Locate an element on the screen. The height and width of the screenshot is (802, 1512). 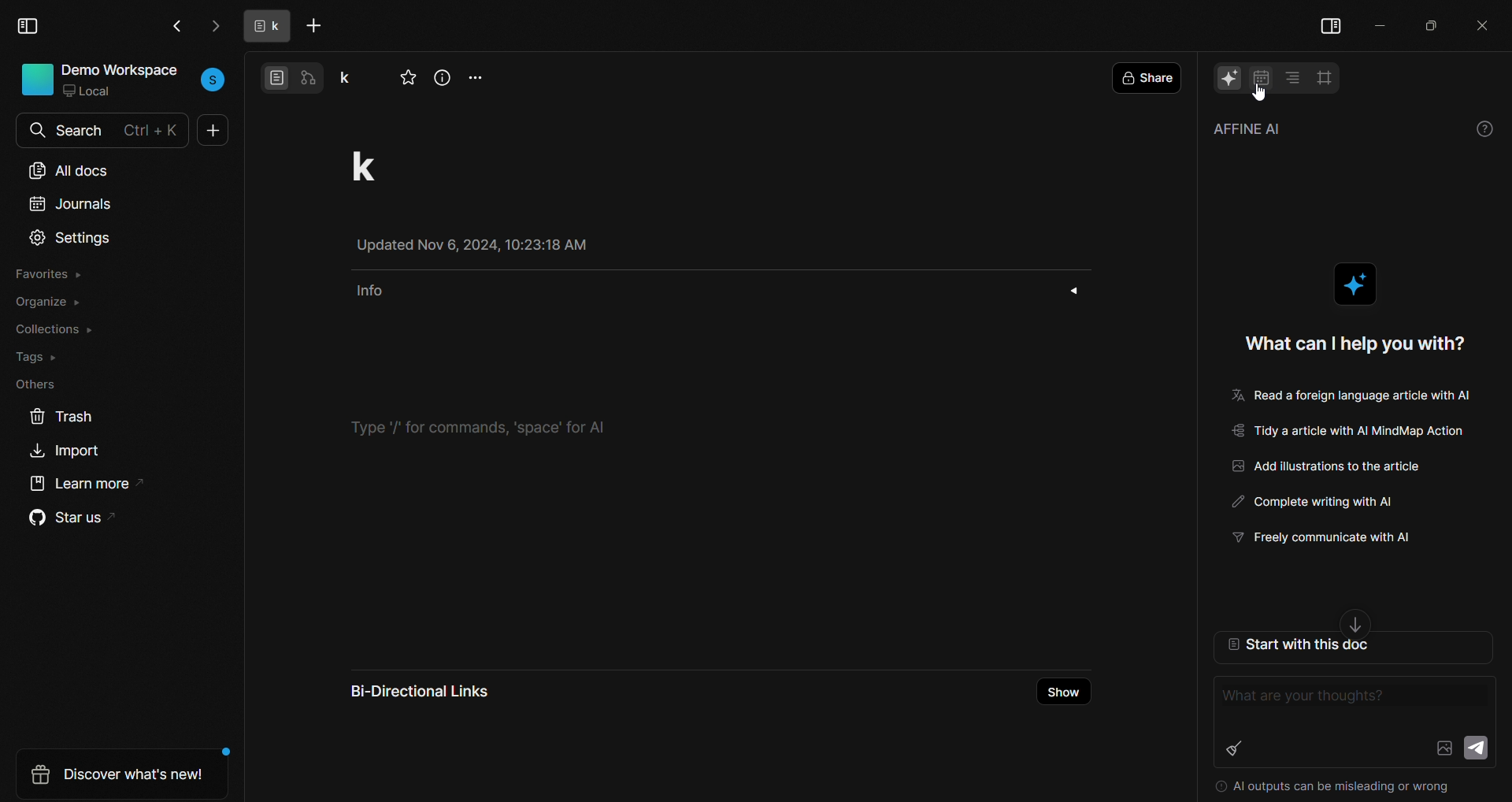
import is located at coordinates (69, 453).